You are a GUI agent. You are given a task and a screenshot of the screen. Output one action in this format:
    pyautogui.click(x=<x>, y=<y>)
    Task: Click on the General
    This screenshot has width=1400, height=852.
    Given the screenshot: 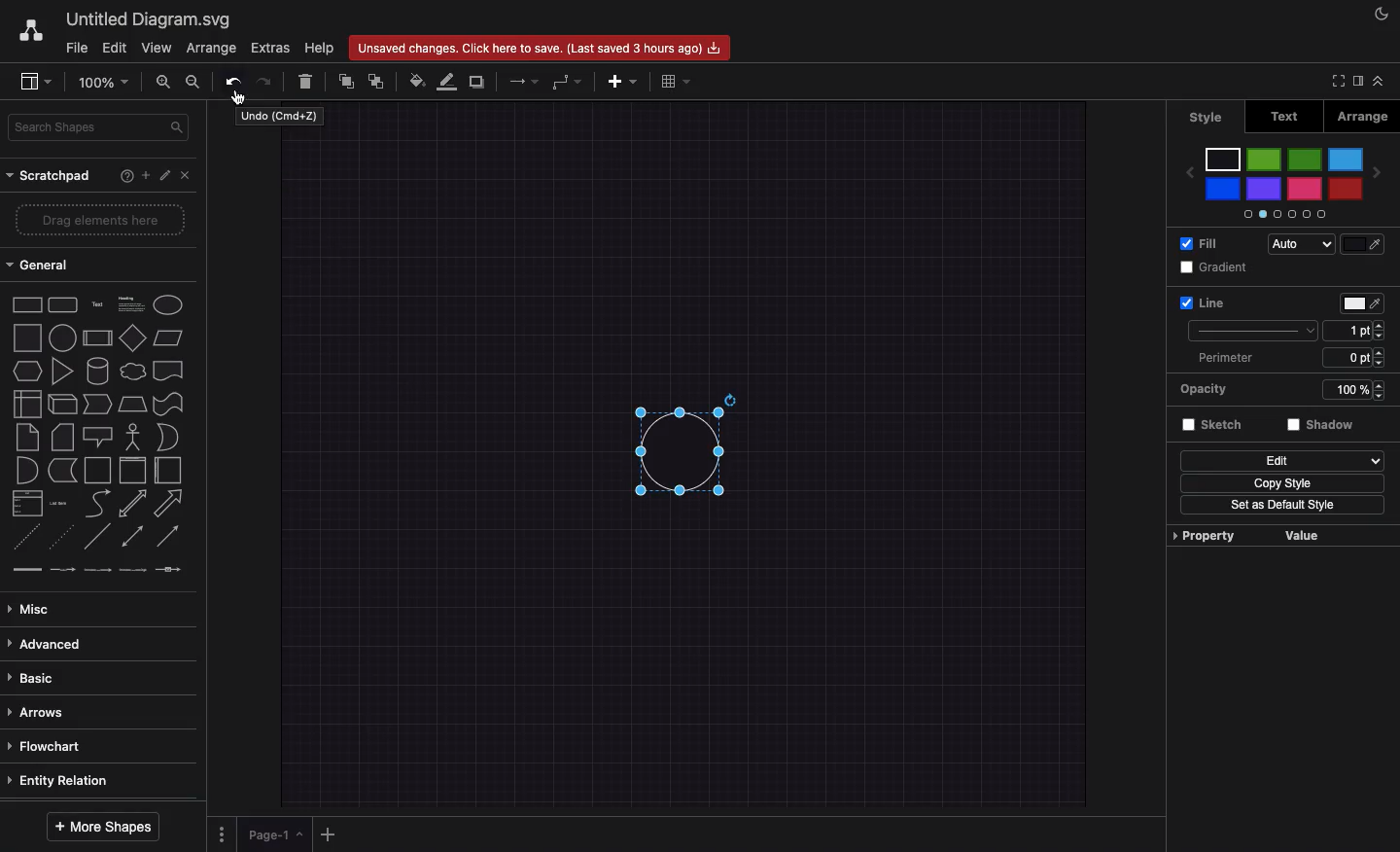 What is the action you would take?
    pyautogui.click(x=44, y=264)
    